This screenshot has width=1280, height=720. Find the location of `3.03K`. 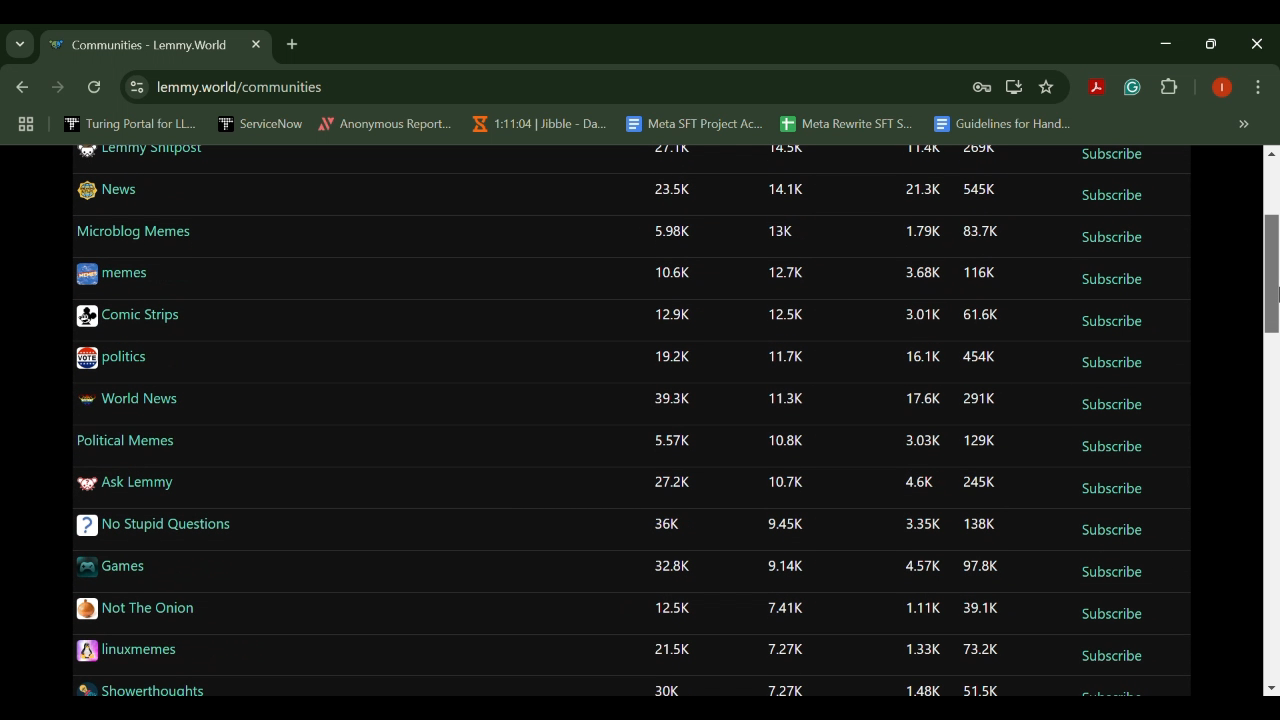

3.03K is located at coordinates (921, 443).